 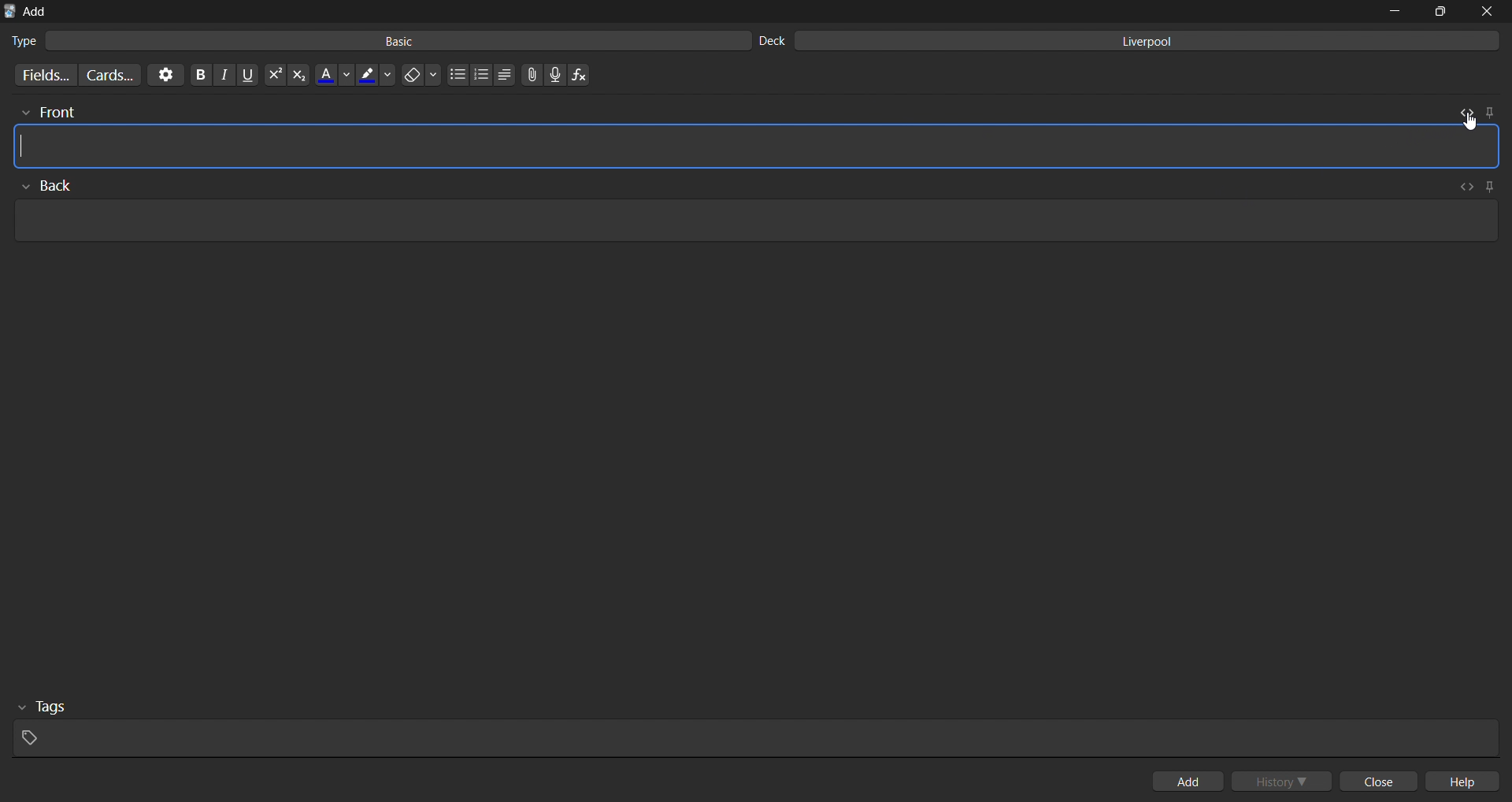 I want to click on line spacing, so click(x=504, y=75).